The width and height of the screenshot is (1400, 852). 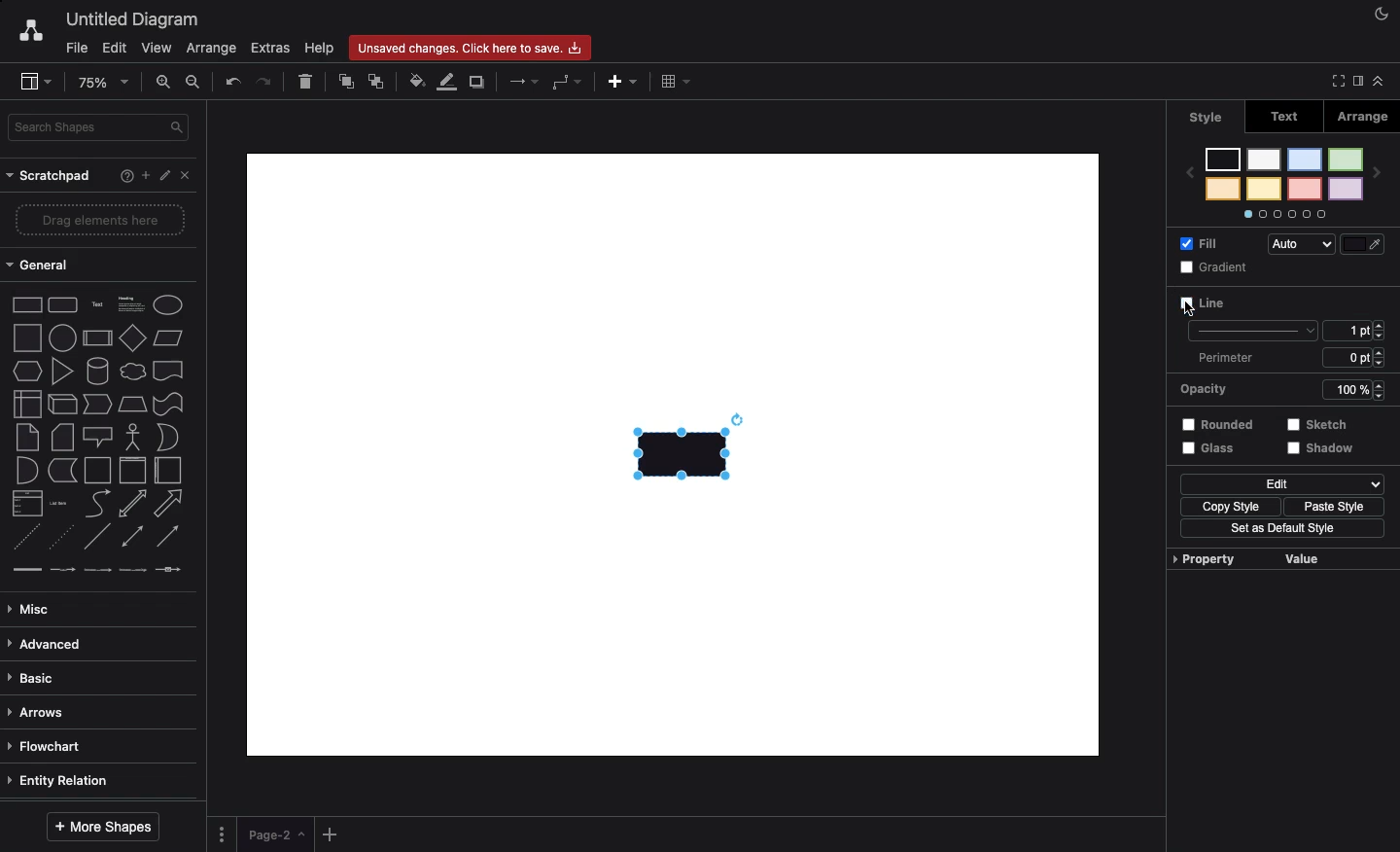 What do you see at coordinates (212, 49) in the screenshot?
I see `Arrange` at bounding box center [212, 49].